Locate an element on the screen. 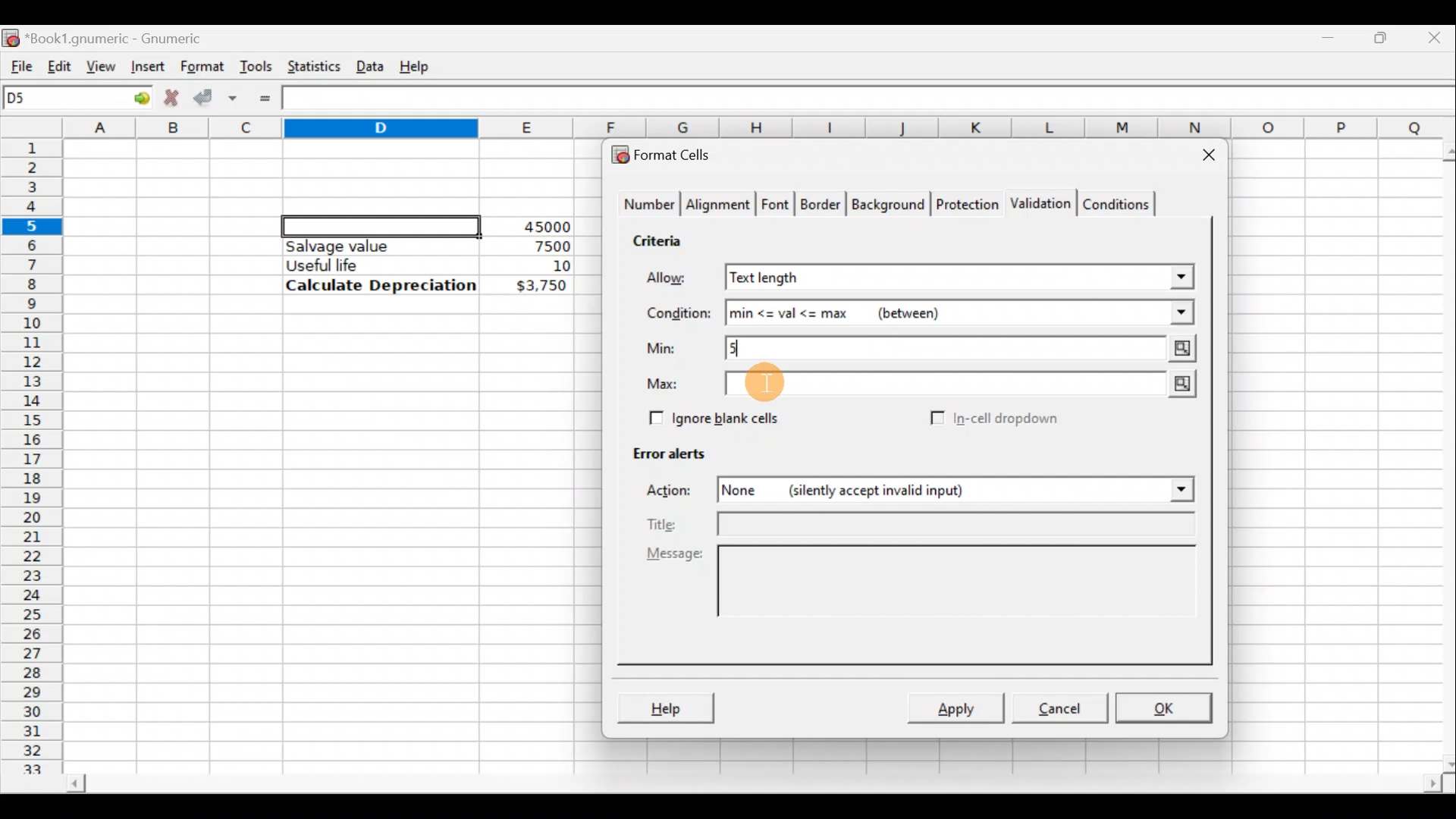 This screenshot has width=1456, height=819. None (silently accept invalid input) is located at coordinates (905, 489).